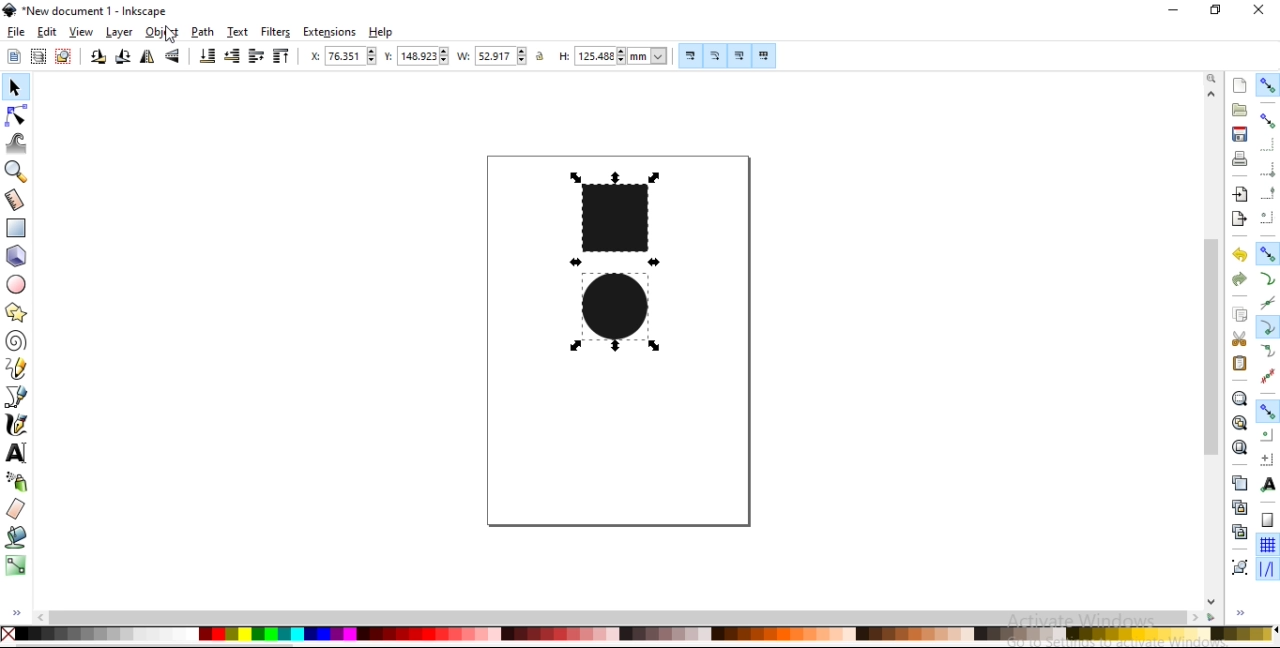  What do you see at coordinates (17, 199) in the screenshot?
I see `measurement tool ` at bounding box center [17, 199].